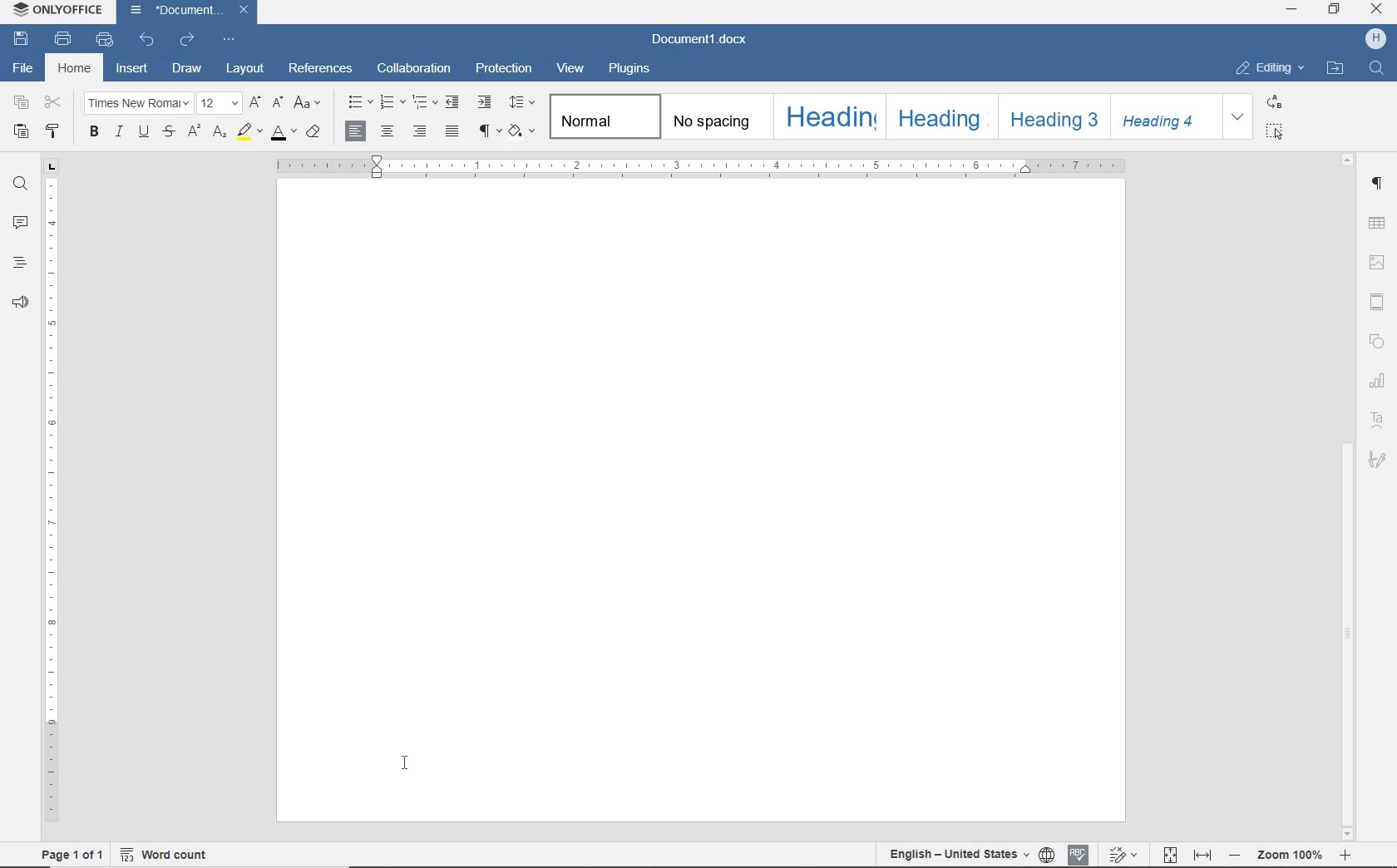 Image resolution: width=1397 pixels, height=868 pixels. What do you see at coordinates (147, 42) in the screenshot?
I see `undo` at bounding box center [147, 42].